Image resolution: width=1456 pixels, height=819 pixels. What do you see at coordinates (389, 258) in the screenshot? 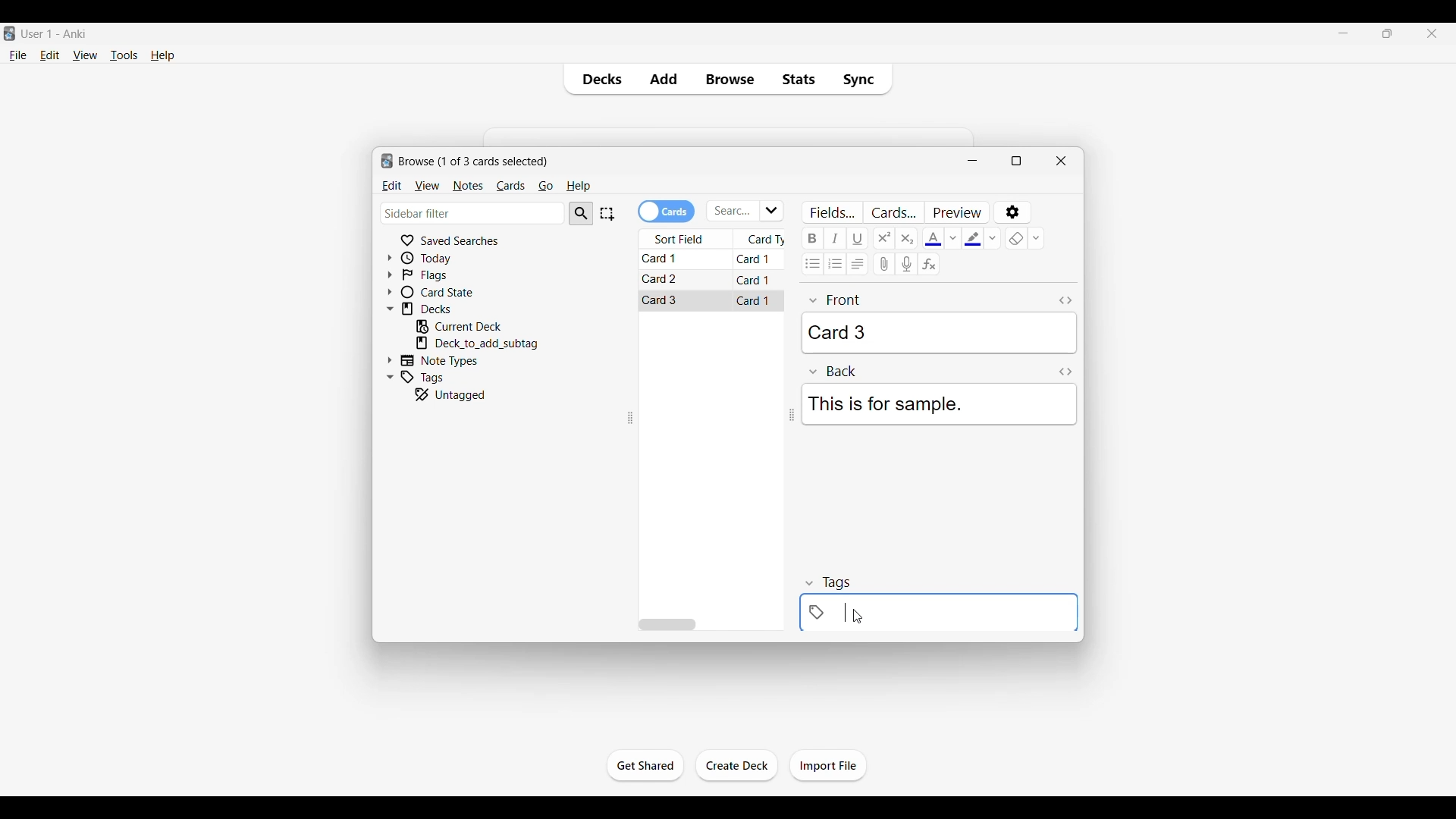
I see `Click to expand Today` at bounding box center [389, 258].